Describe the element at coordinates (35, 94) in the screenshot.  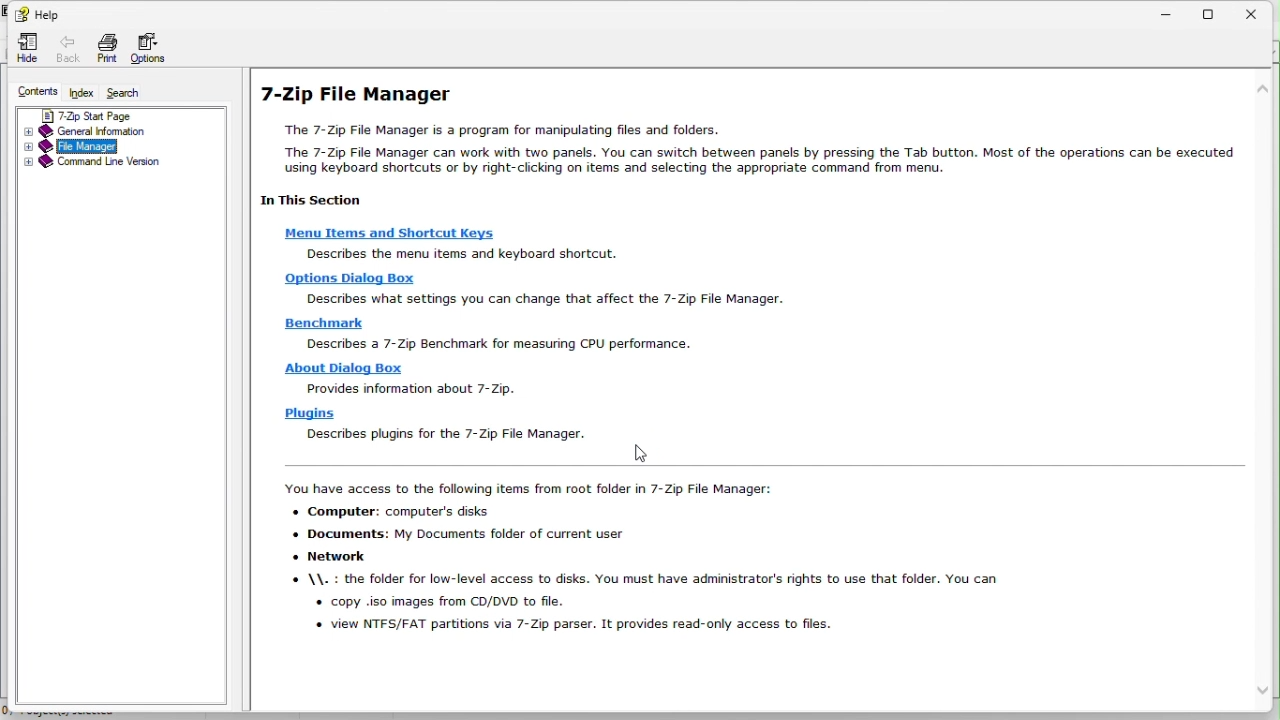
I see `Contents` at that location.